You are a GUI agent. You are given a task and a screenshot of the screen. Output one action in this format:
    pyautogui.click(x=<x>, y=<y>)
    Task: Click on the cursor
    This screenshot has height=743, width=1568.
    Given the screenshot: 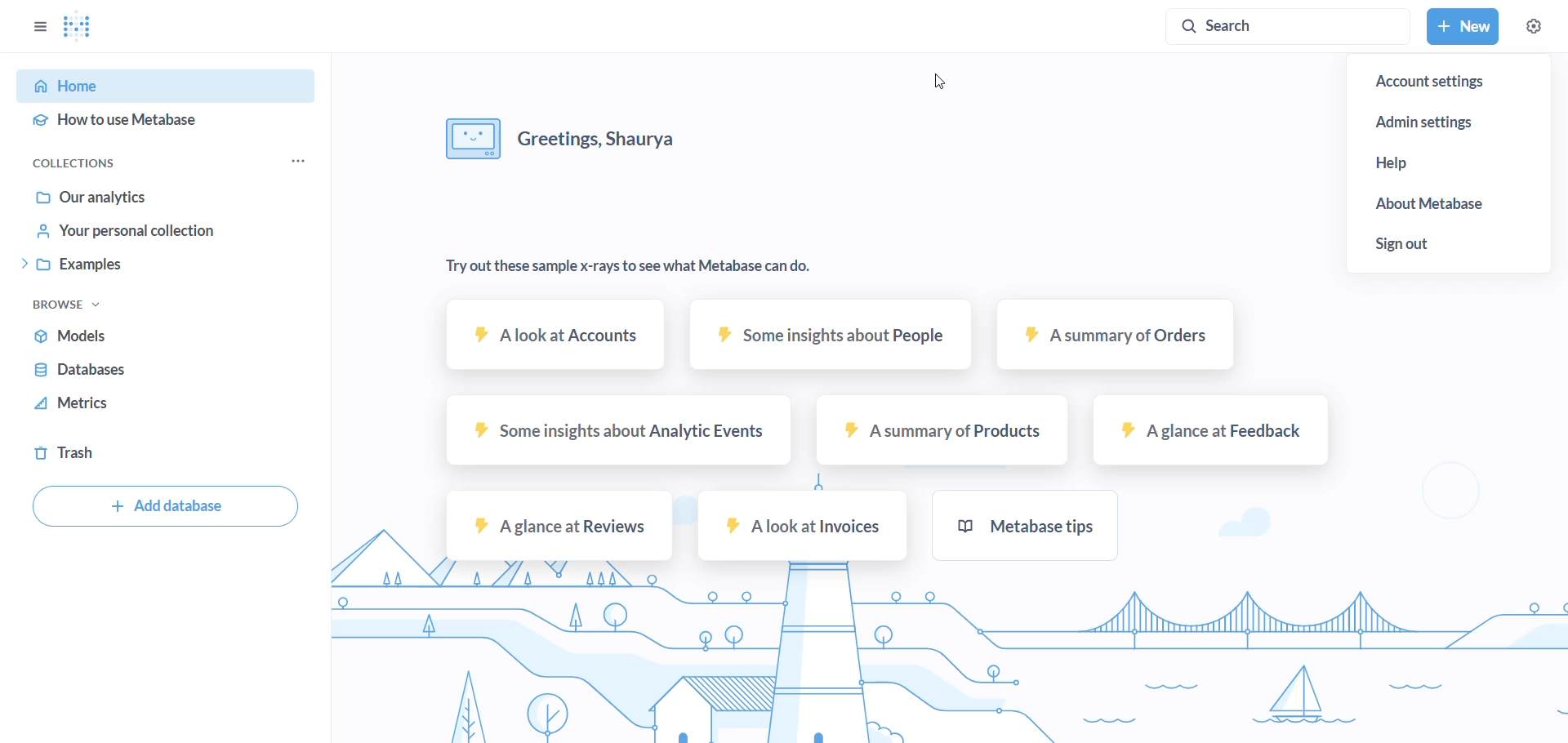 What is the action you would take?
    pyautogui.click(x=940, y=82)
    